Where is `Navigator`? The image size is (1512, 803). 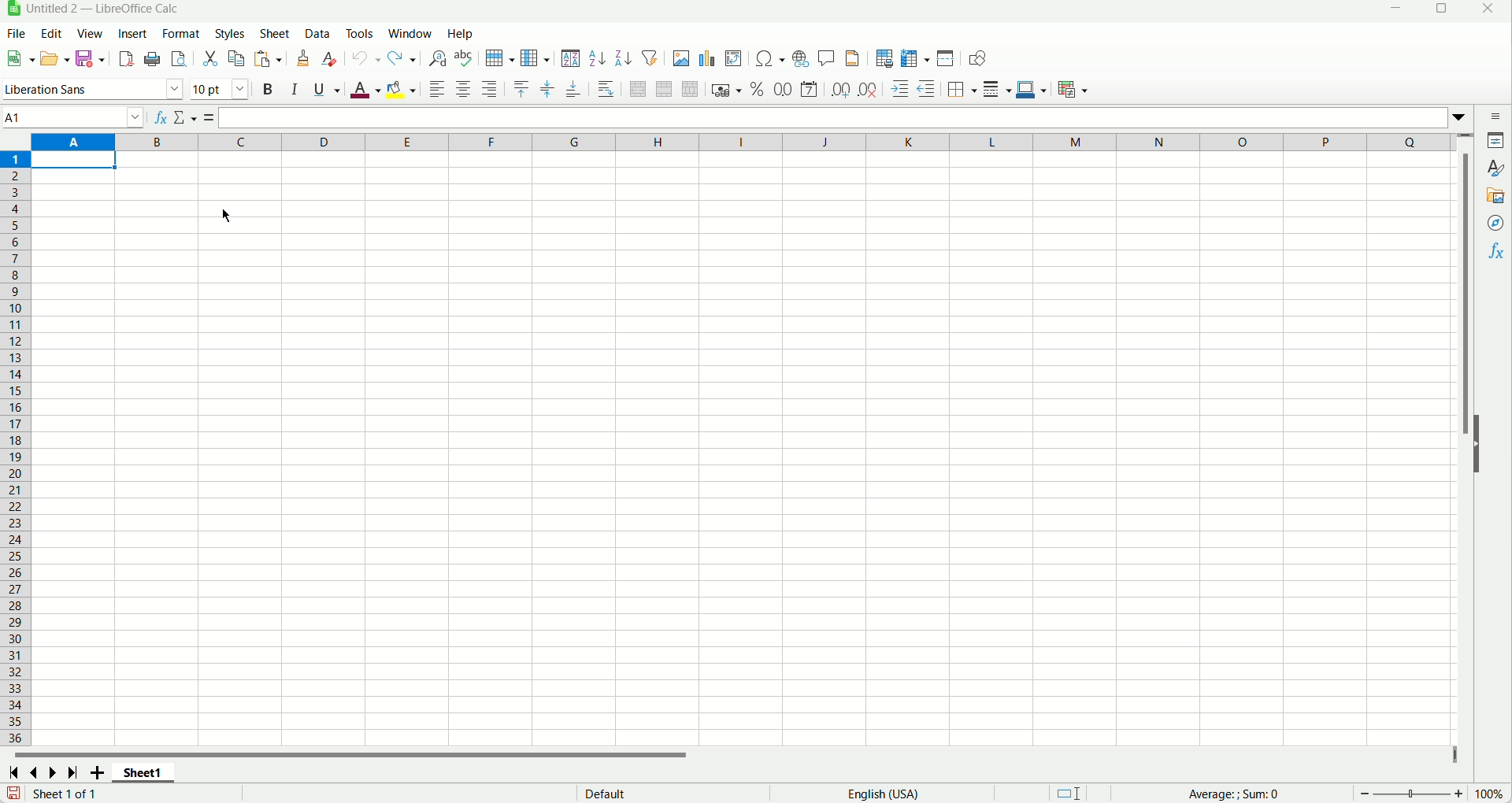 Navigator is located at coordinates (1497, 224).